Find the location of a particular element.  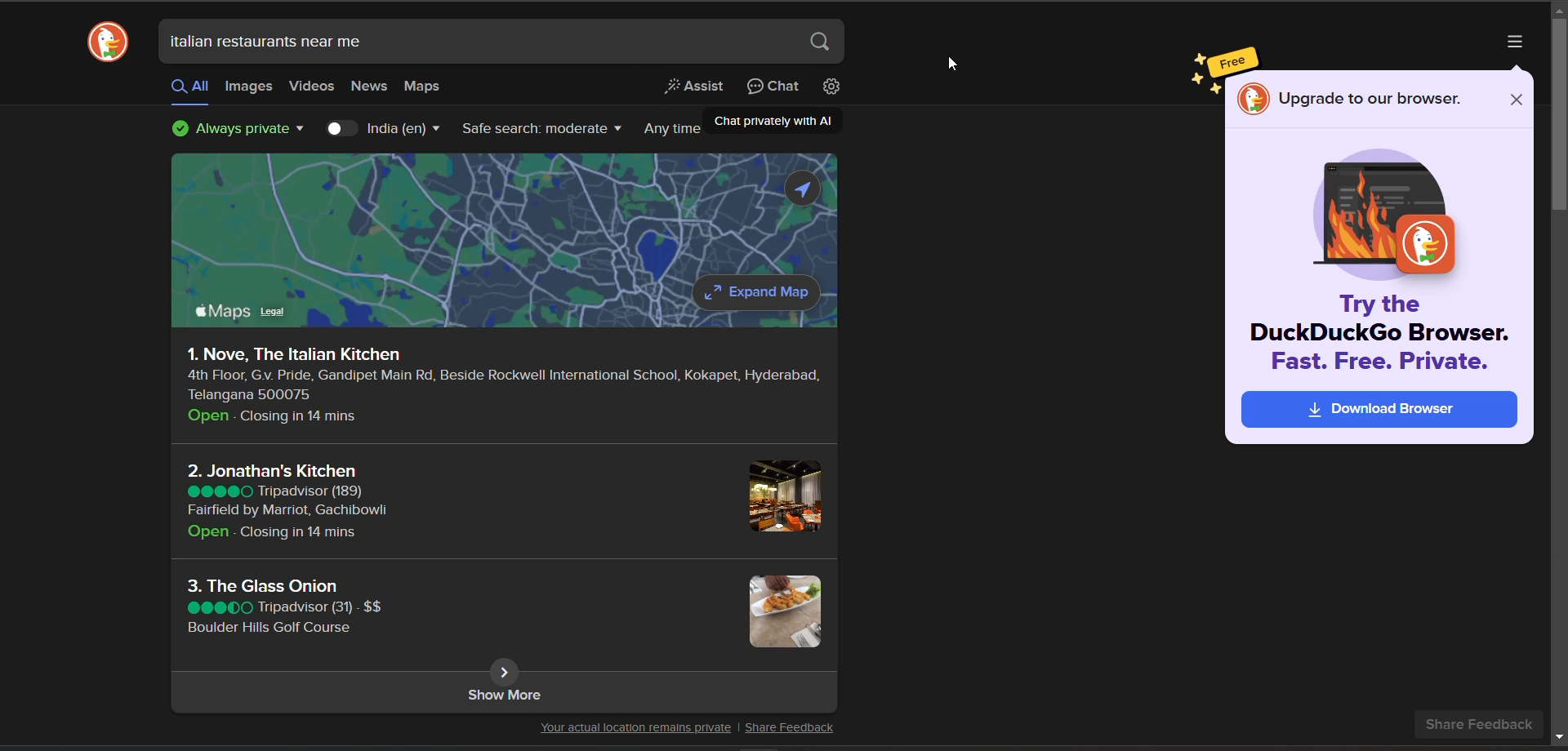

Restaurant rating is located at coordinates (219, 491).